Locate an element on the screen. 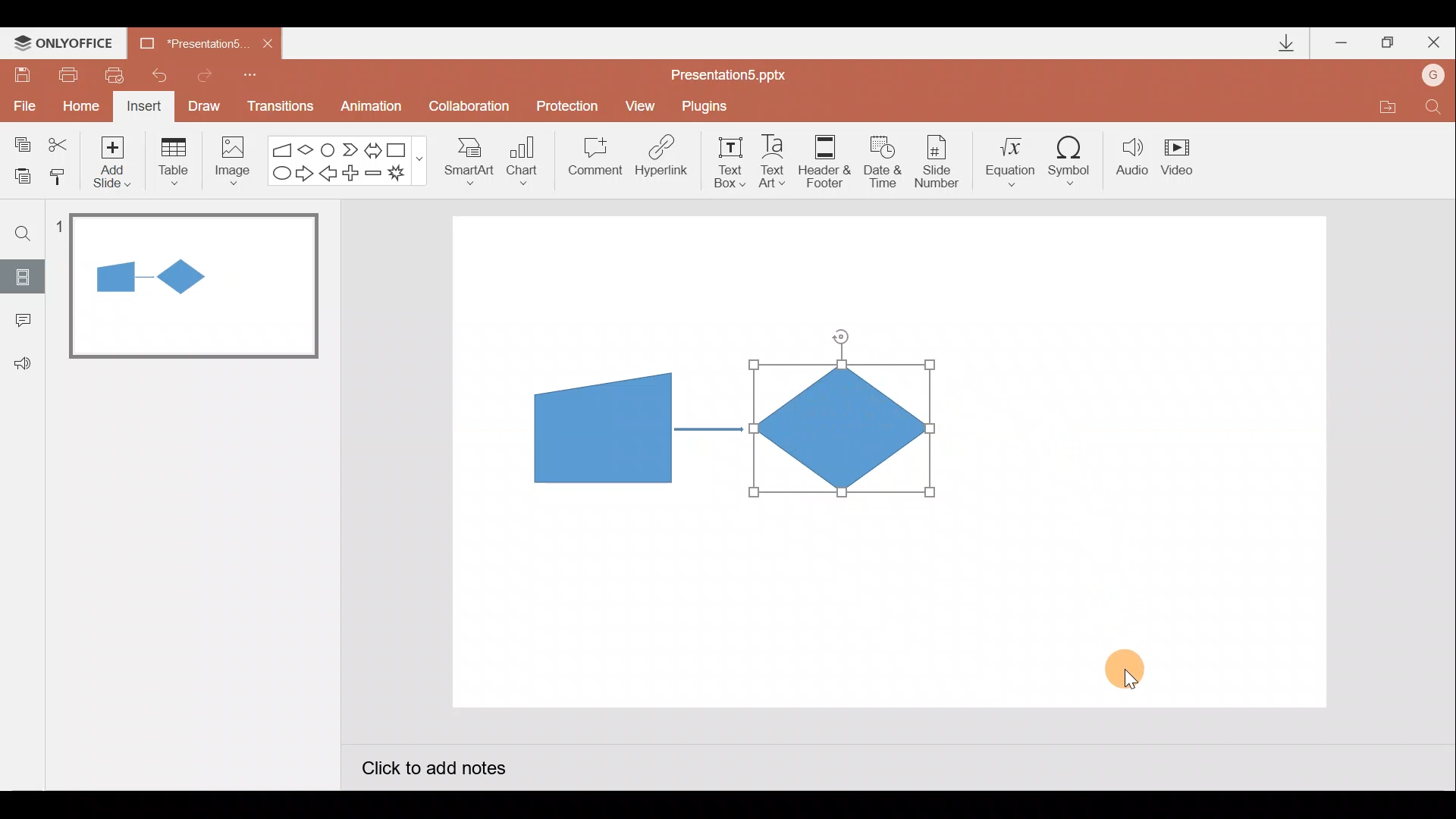 The image size is (1456, 819). Manual input flow chart  is located at coordinates (600, 426).